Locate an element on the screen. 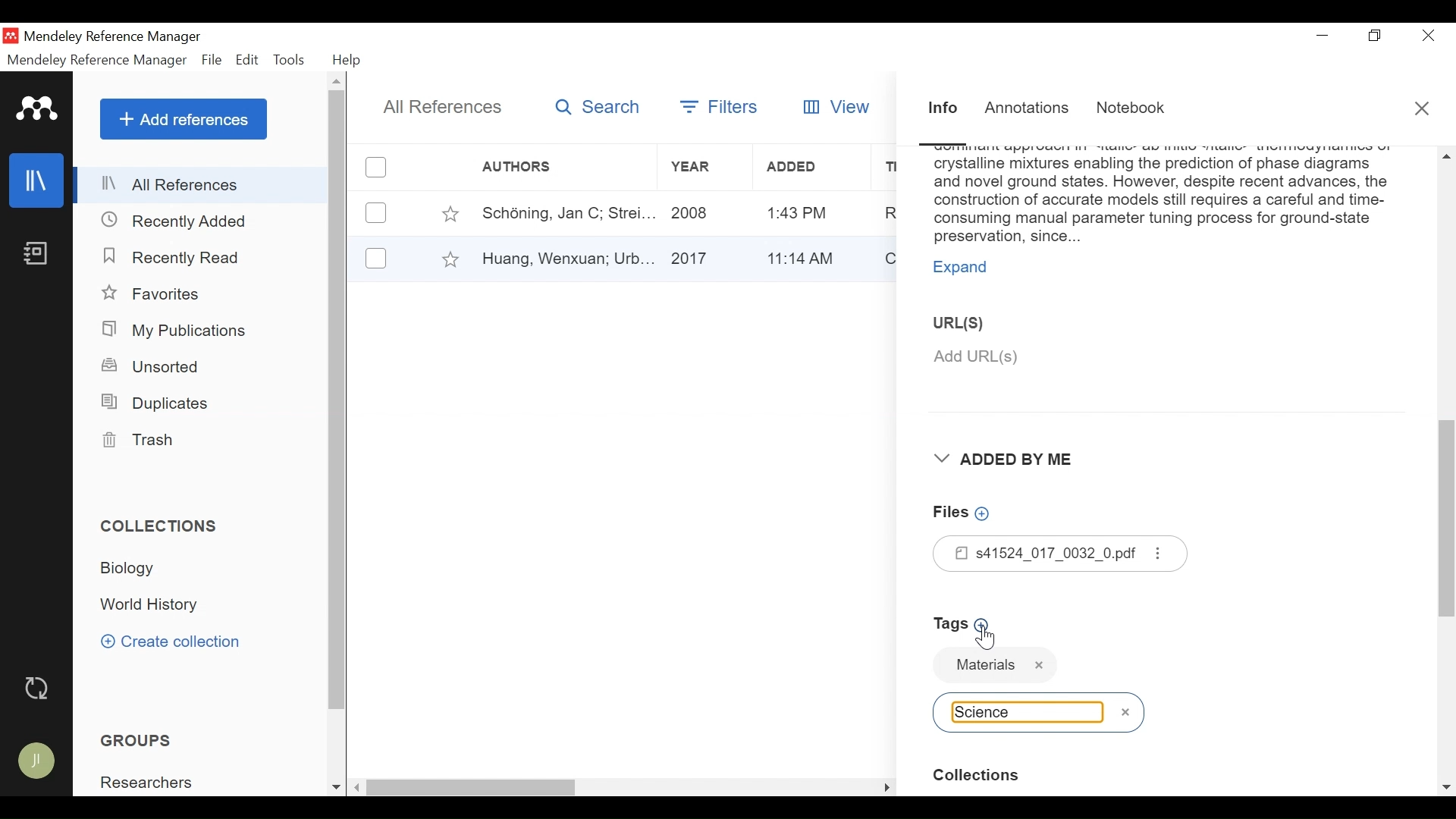 The height and width of the screenshot is (819, 1456). Scroll down is located at coordinates (336, 789).